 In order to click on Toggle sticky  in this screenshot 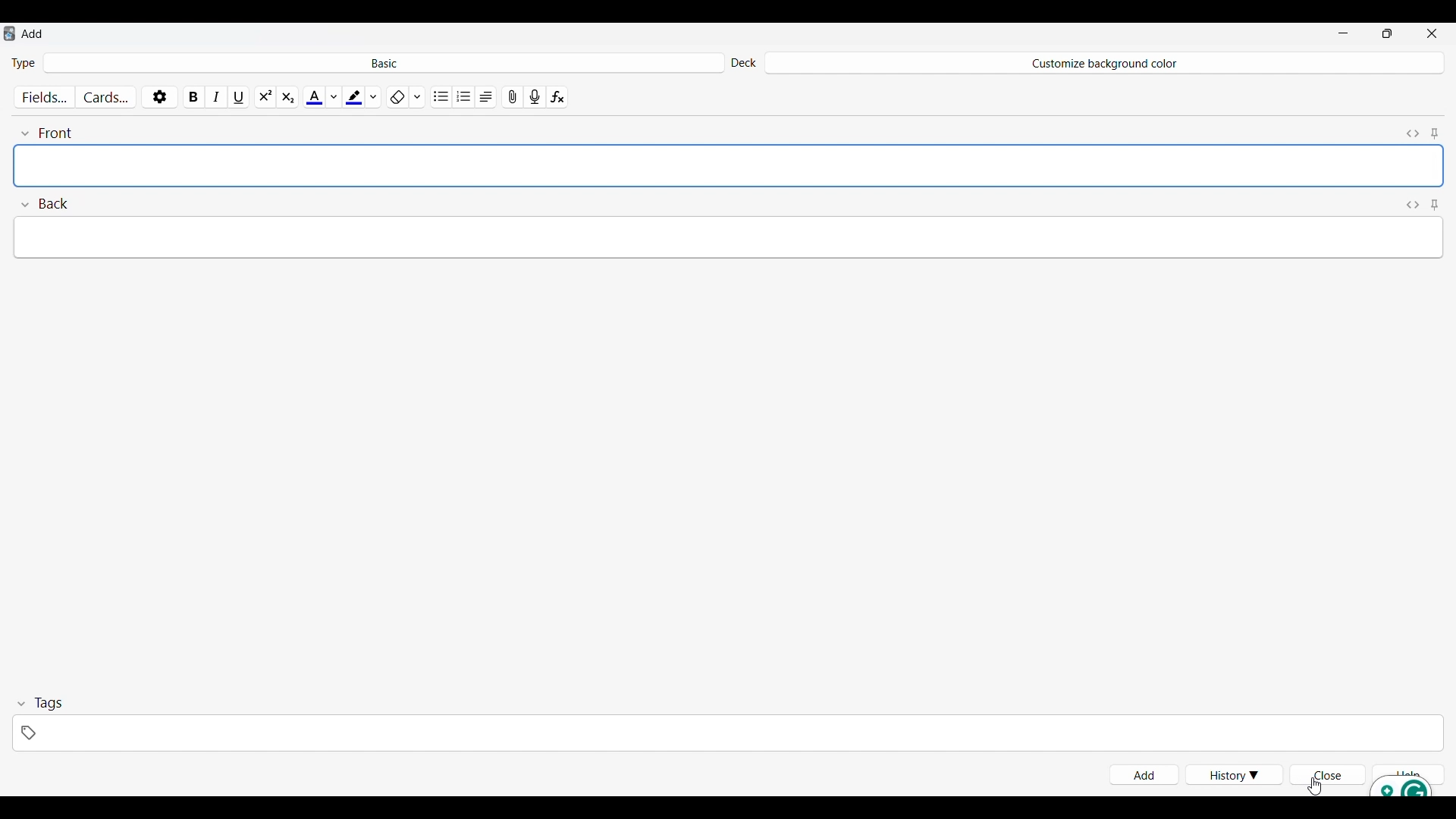, I will do `click(1434, 132)`.